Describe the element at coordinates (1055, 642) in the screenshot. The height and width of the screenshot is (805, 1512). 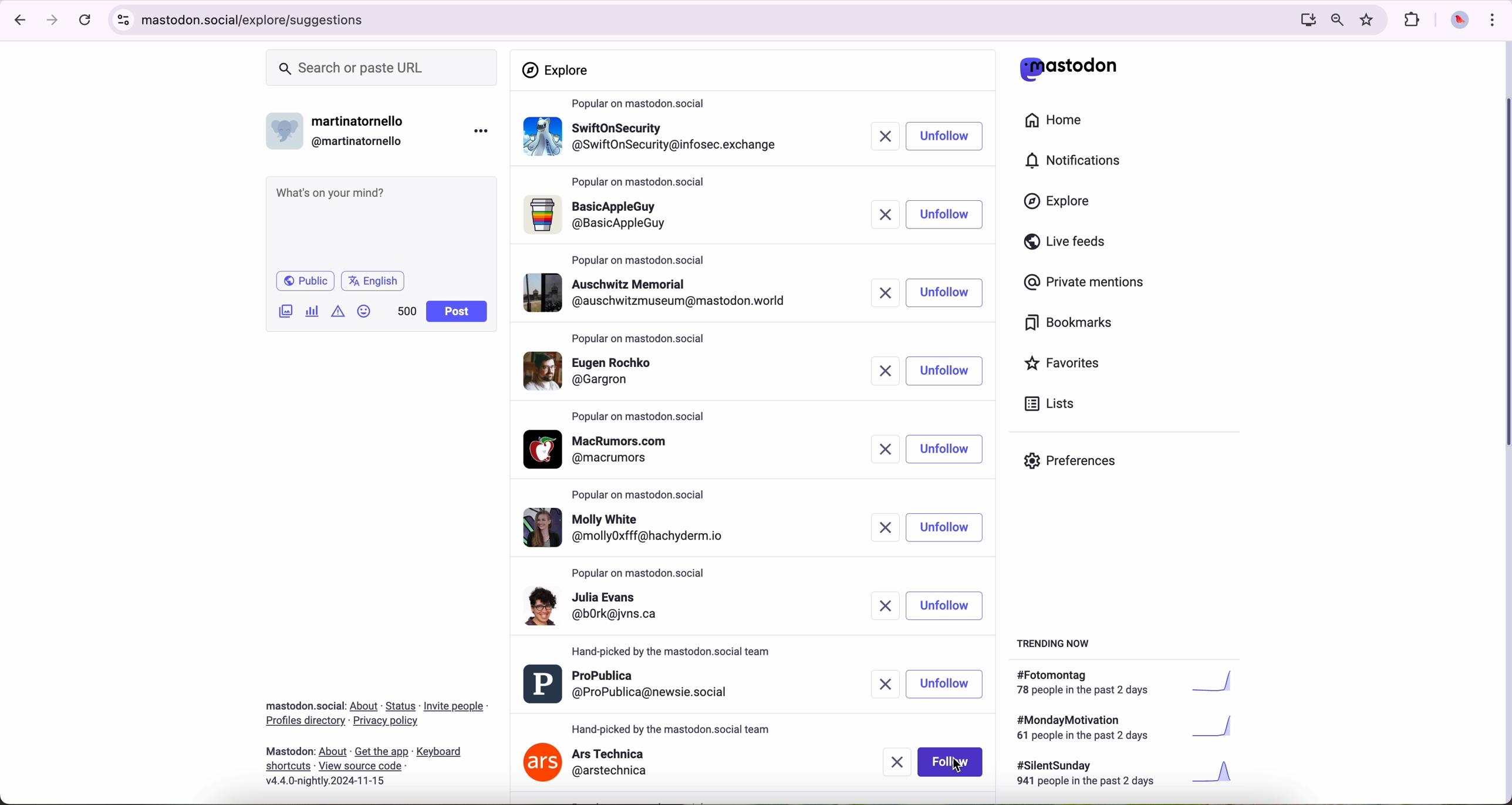
I see `trending now` at that location.